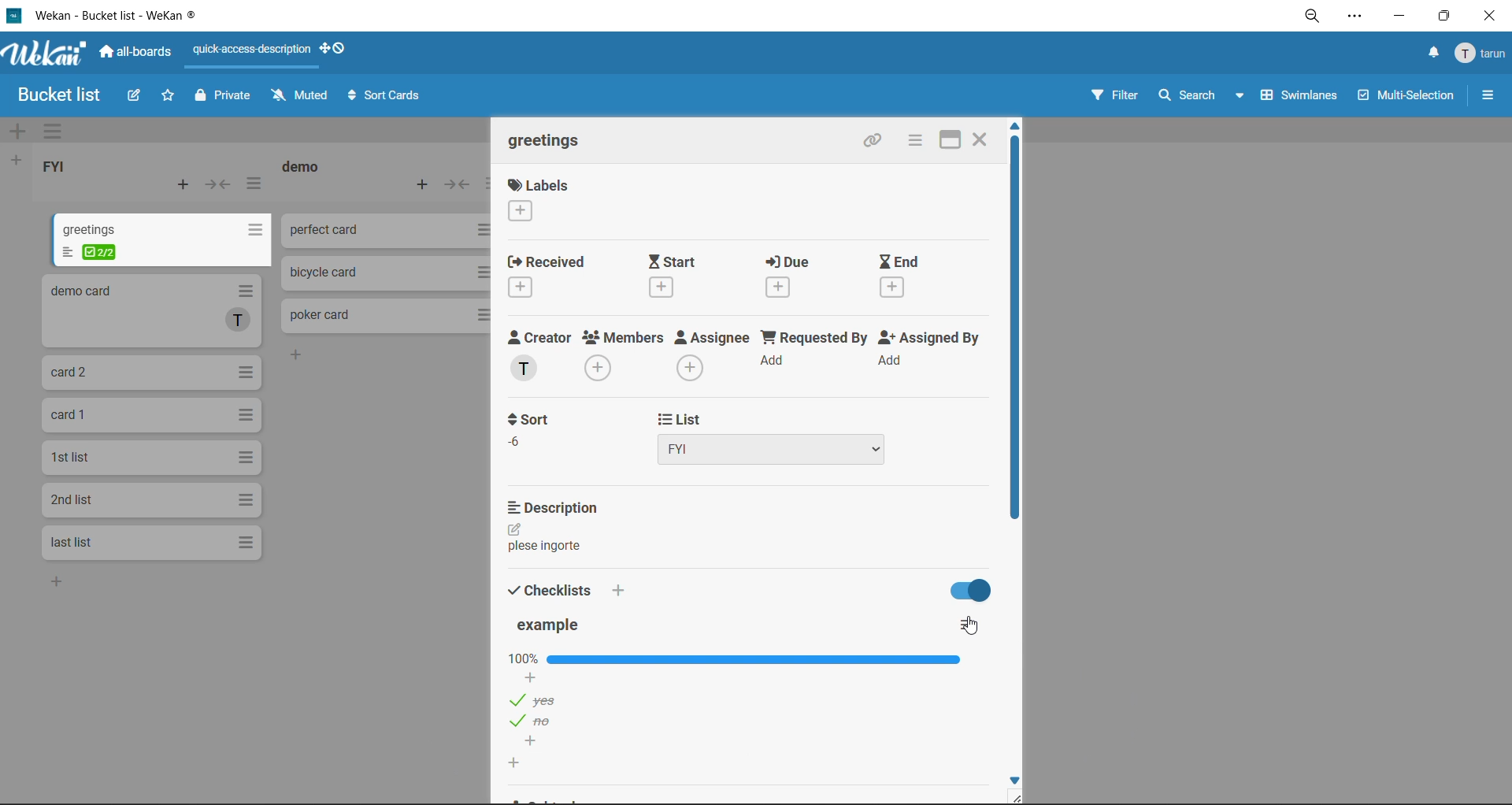 The width and height of the screenshot is (1512, 805). I want to click on add checklist, so click(620, 590).